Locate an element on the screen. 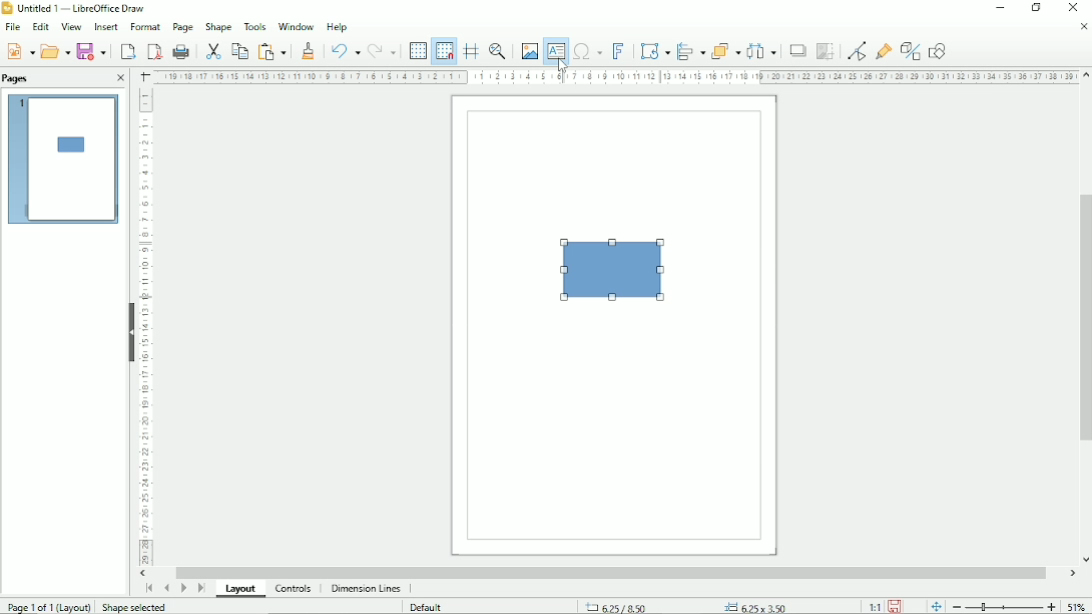  Hide is located at coordinates (131, 332).